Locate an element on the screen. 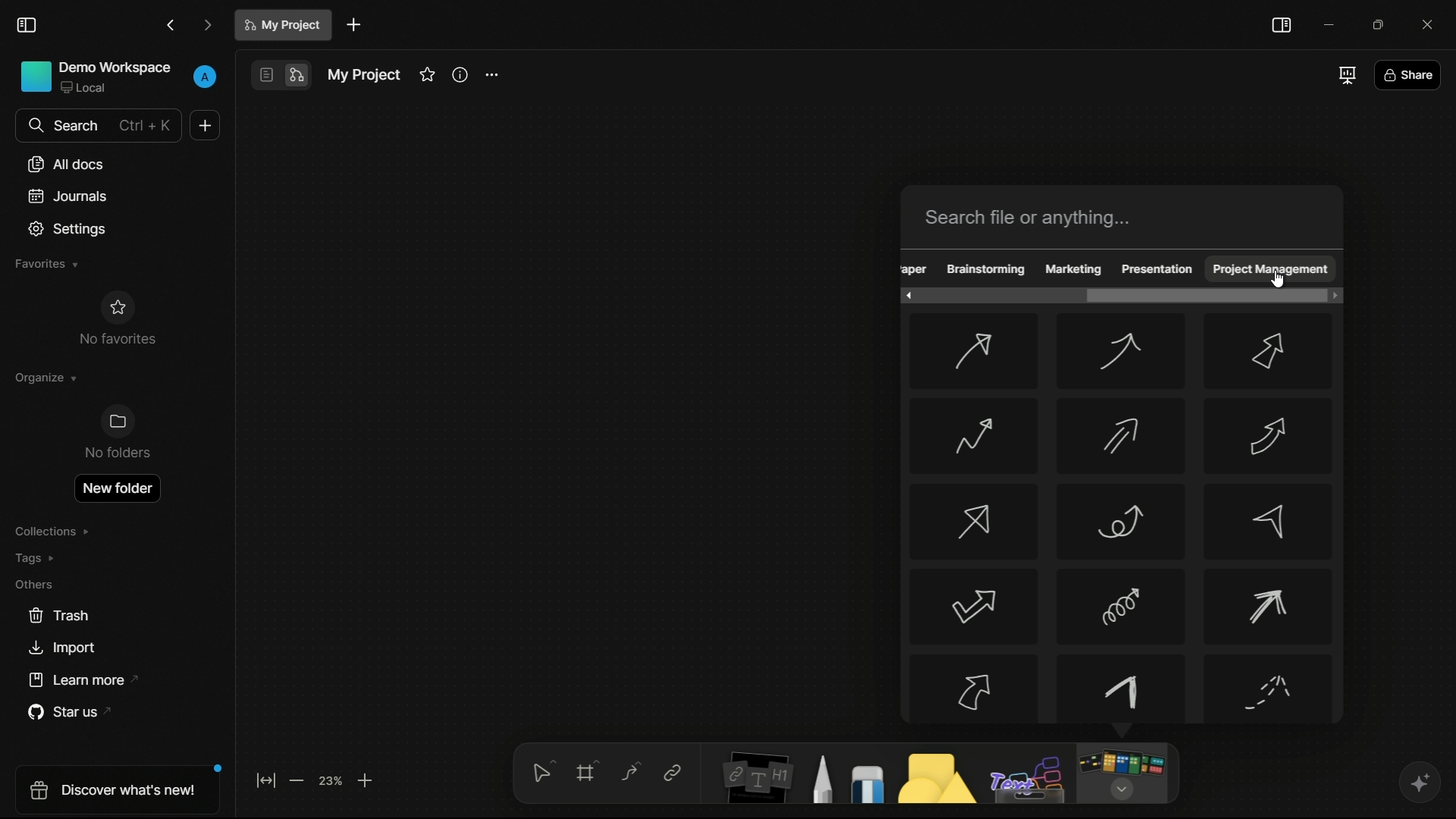  search bar is located at coordinates (1125, 217).